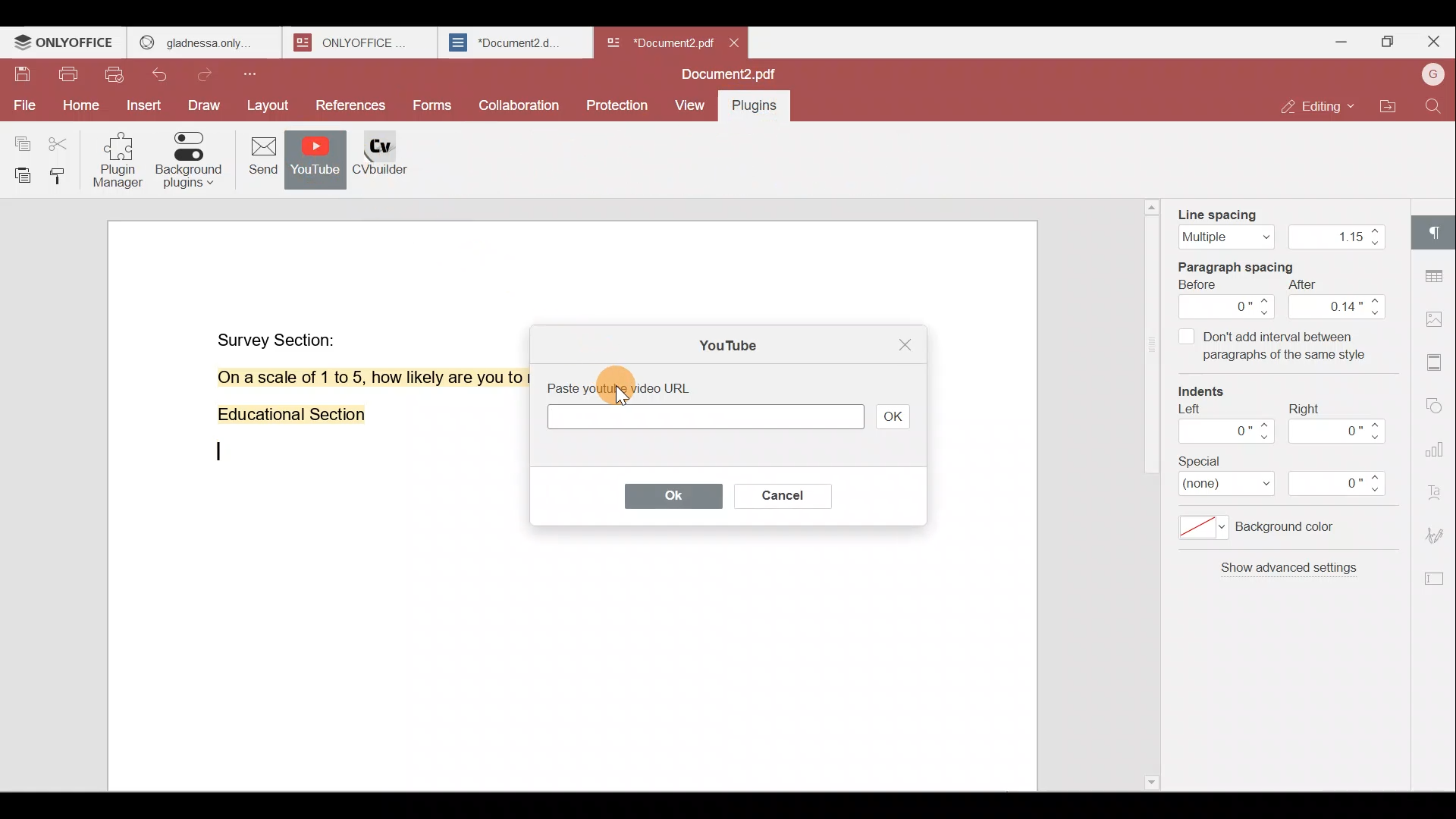 This screenshot has height=819, width=1456. What do you see at coordinates (279, 337) in the screenshot?
I see `Survey Section:` at bounding box center [279, 337].